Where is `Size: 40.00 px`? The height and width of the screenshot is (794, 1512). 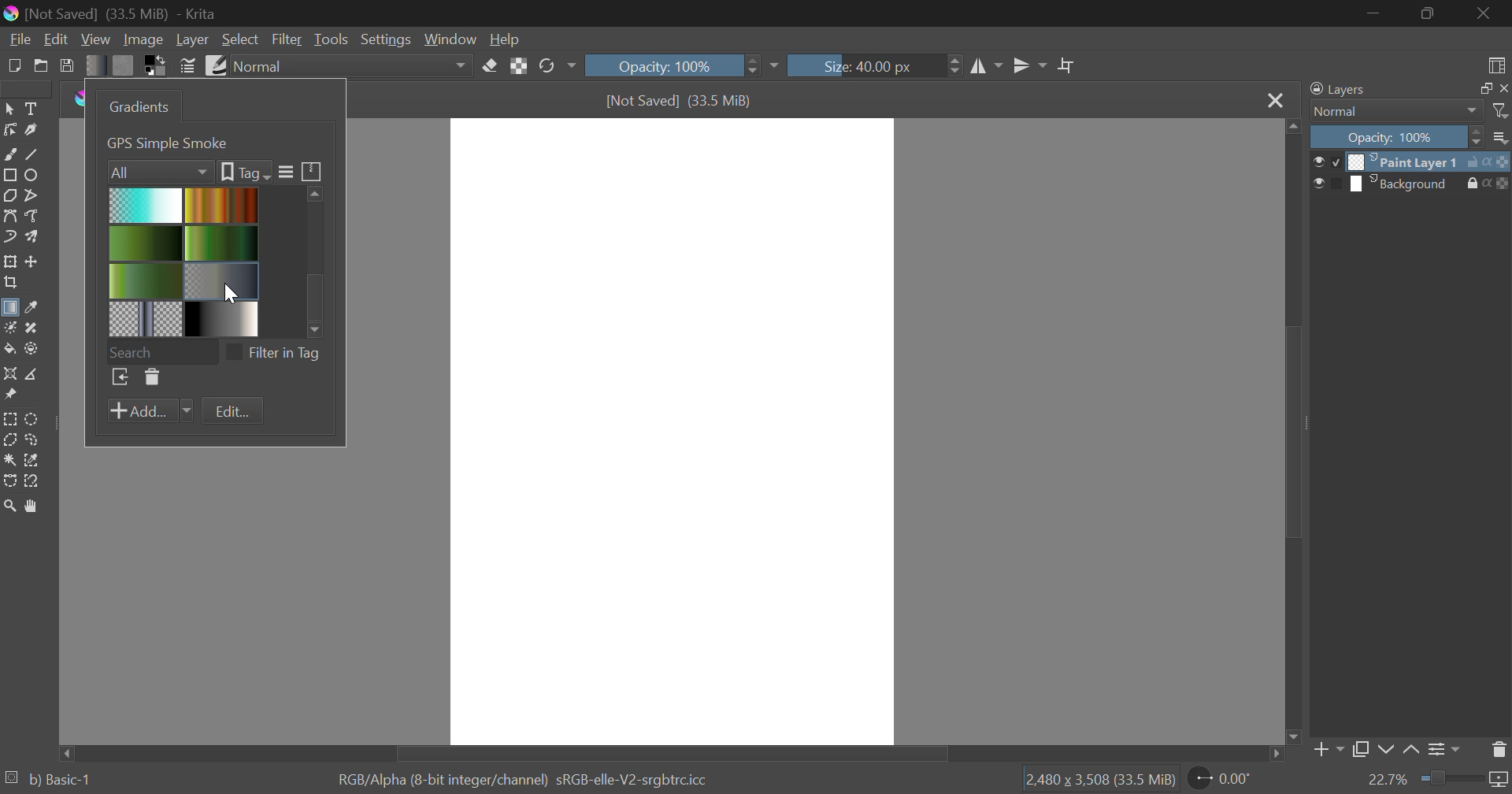 Size: 40.00 px is located at coordinates (876, 64).